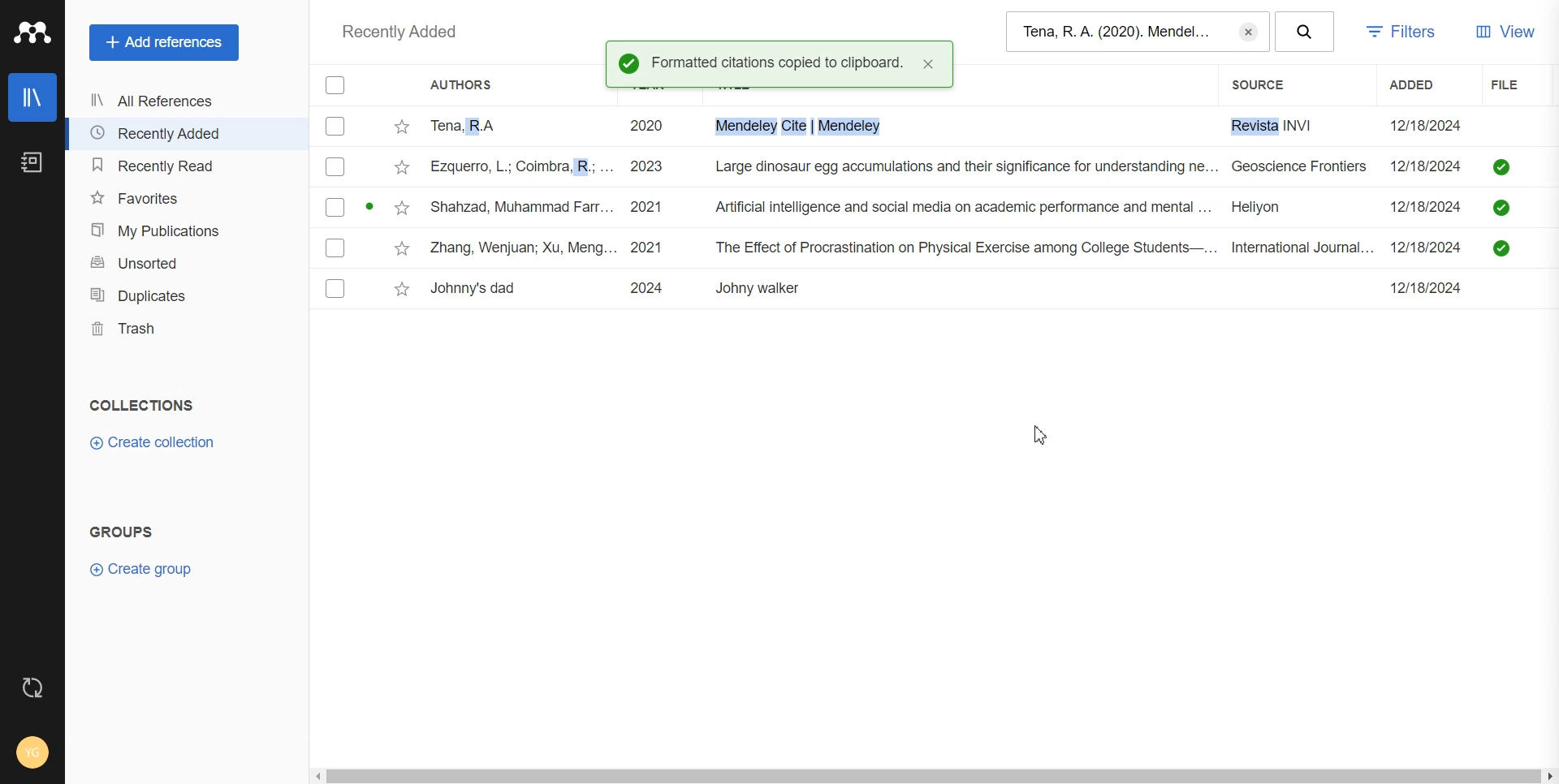  I want to click on Cursor, so click(1043, 435).